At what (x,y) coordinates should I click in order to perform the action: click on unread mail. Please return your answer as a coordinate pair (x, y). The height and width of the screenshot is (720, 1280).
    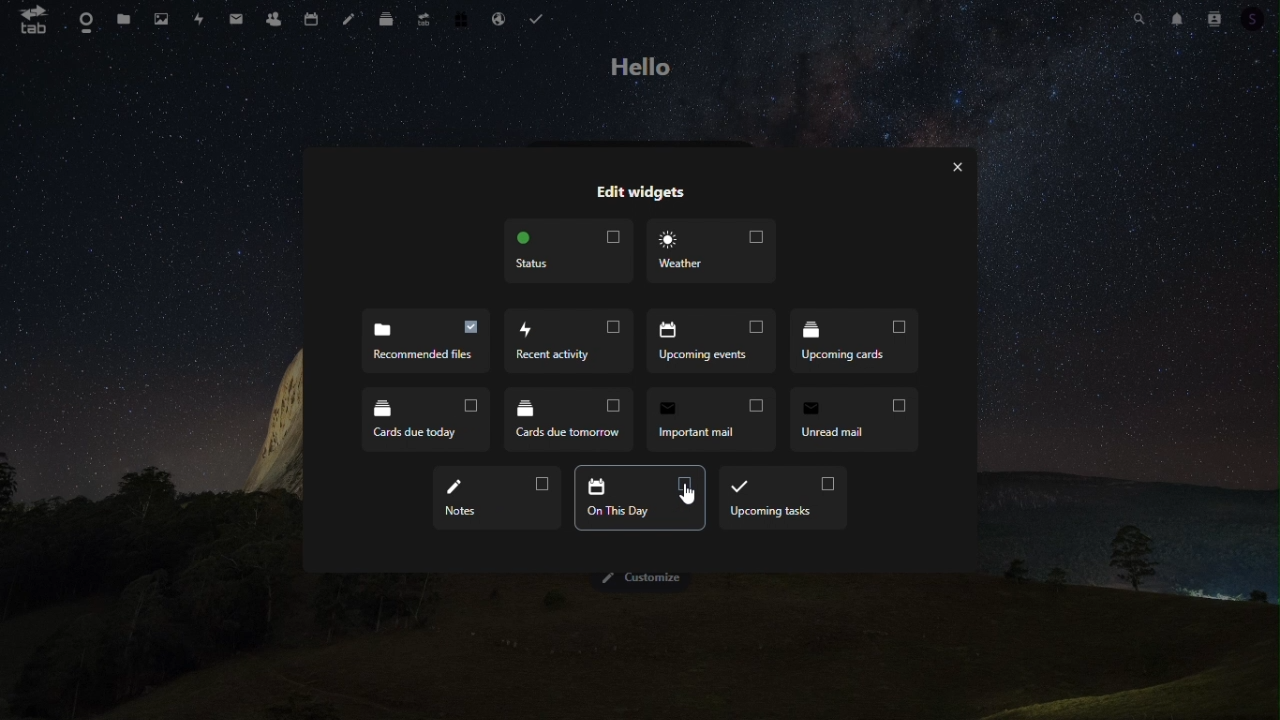
    Looking at the image, I should click on (715, 421).